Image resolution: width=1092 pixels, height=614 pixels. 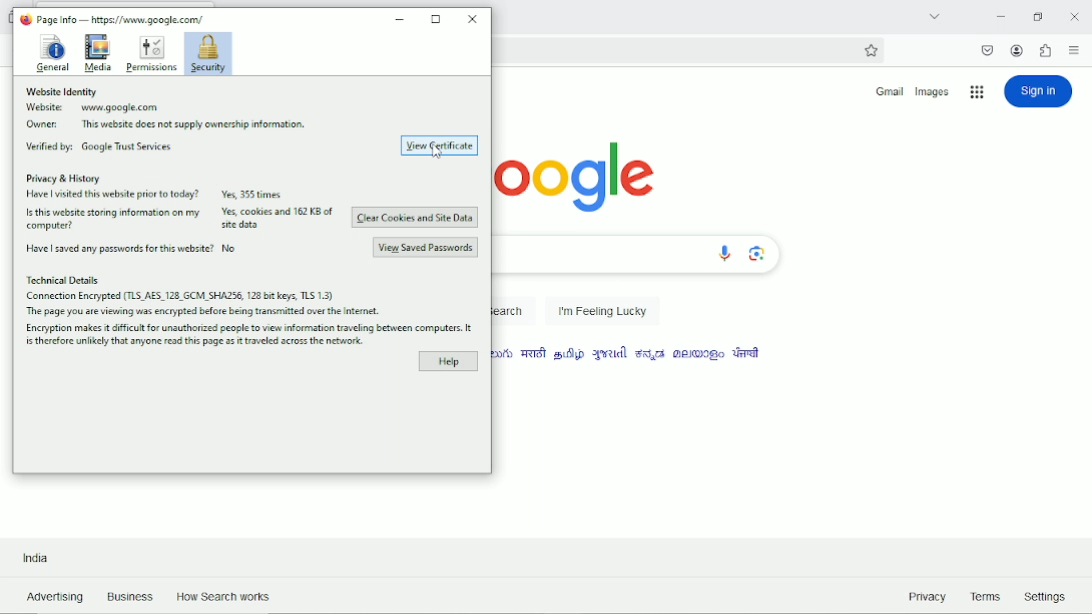 What do you see at coordinates (651, 354) in the screenshot?
I see `language` at bounding box center [651, 354].